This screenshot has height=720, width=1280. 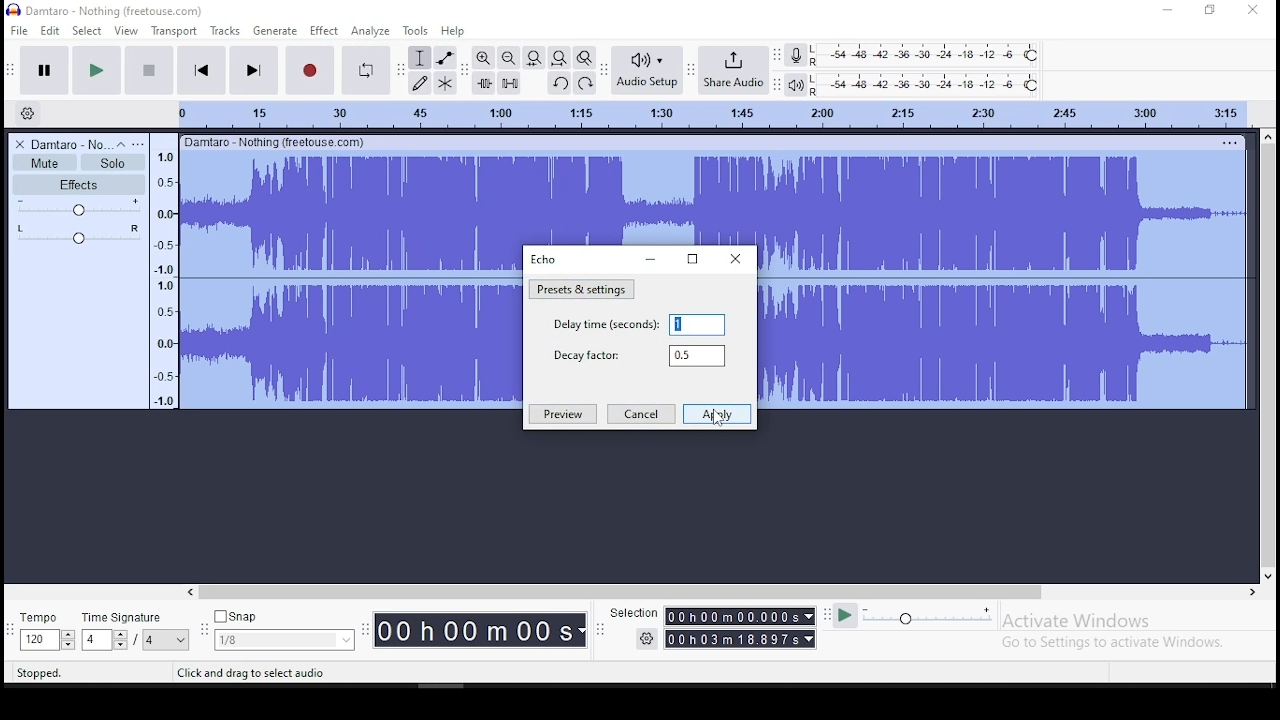 What do you see at coordinates (584, 83) in the screenshot?
I see `redo` at bounding box center [584, 83].